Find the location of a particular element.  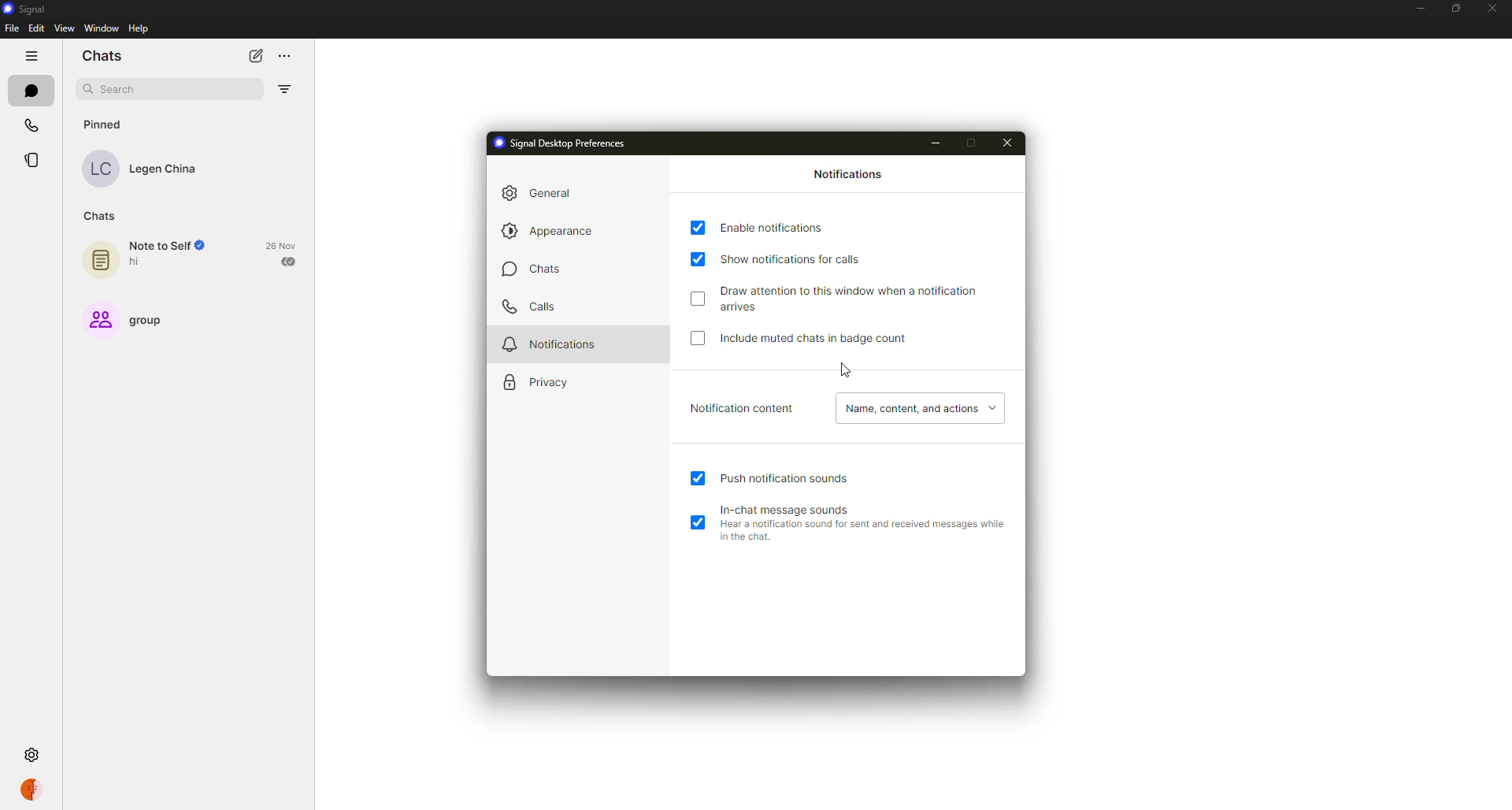

chats is located at coordinates (30, 90).